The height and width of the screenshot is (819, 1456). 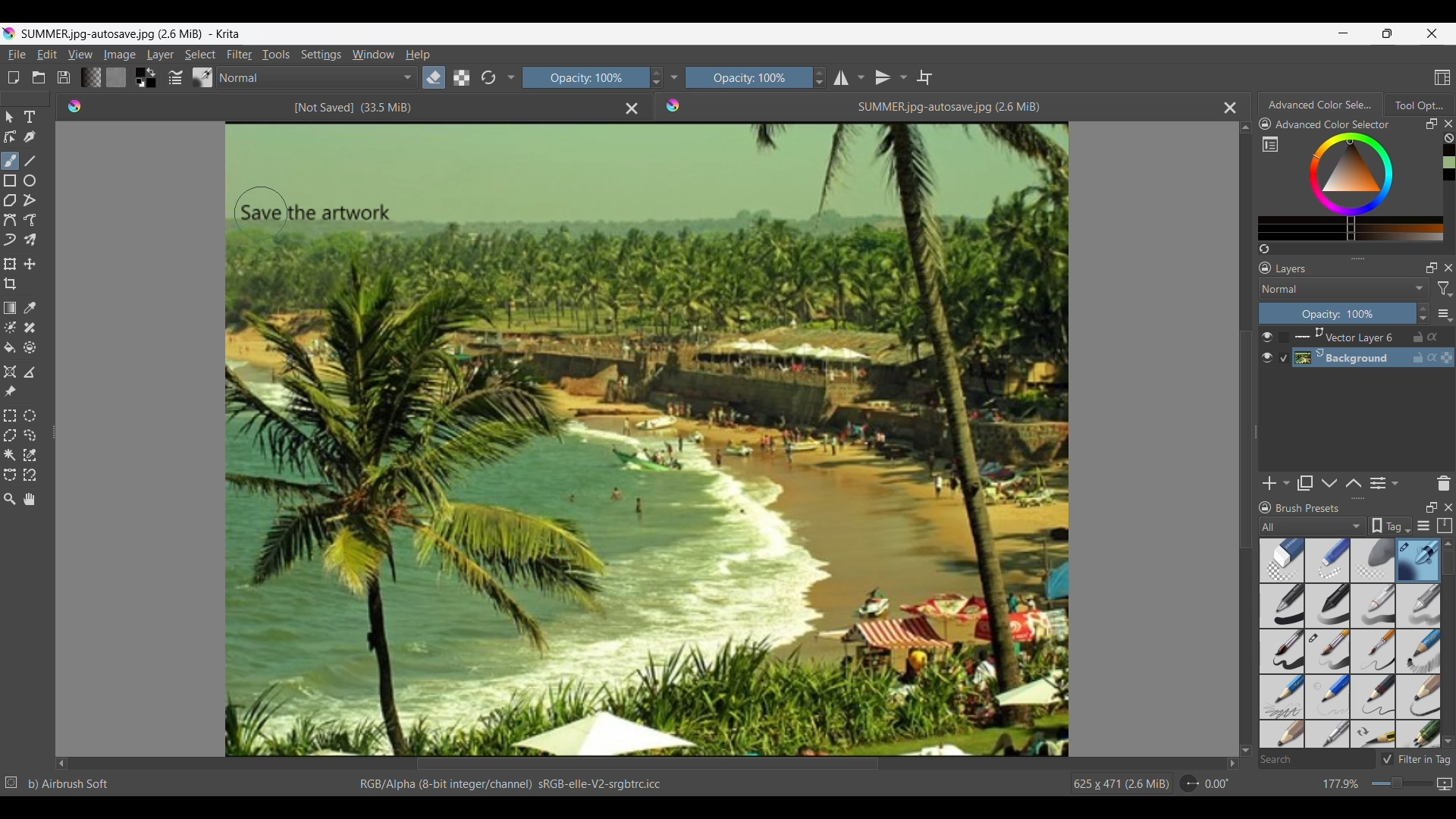 What do you see at coordinates (138, 83) in the screenshot?
I see `Set foreground and background color as white and black respectively` at bounding box center [138, 83].